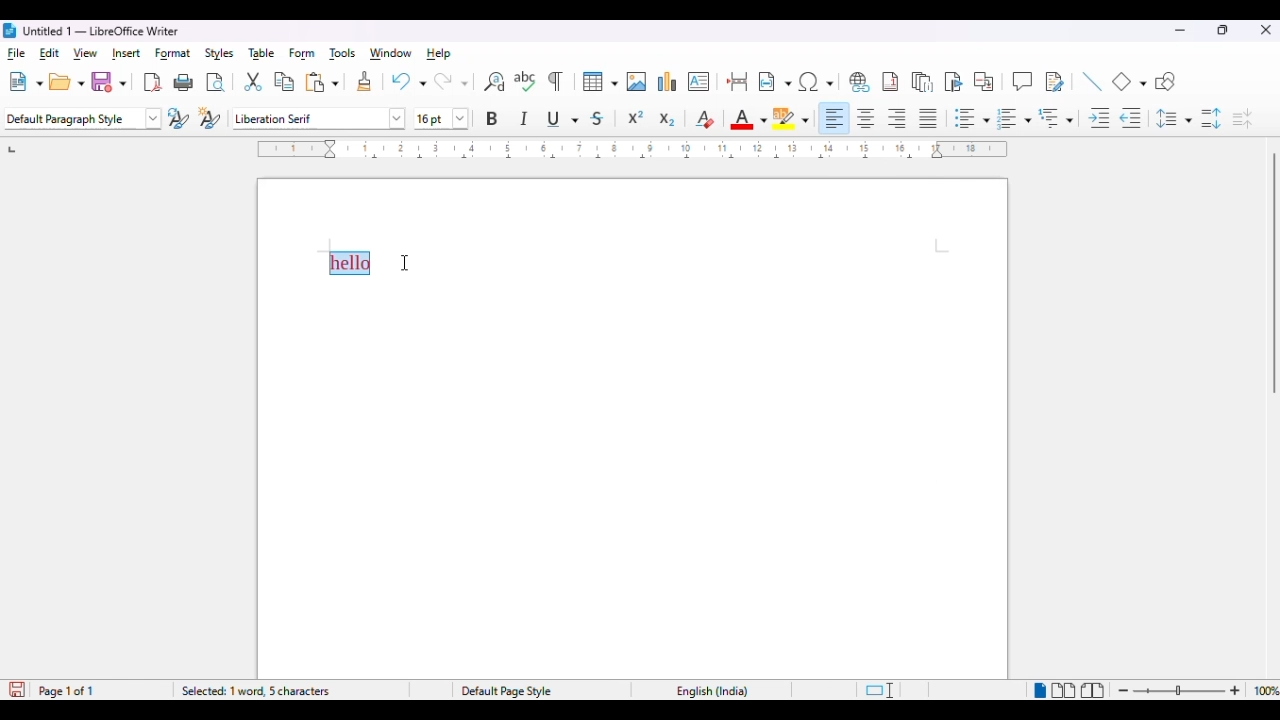 This screenshot has height=720, width=1280. What do you see at coordinates (406, 260) in the screenshot?
I see `cursor` at bounding box center [406, 260].